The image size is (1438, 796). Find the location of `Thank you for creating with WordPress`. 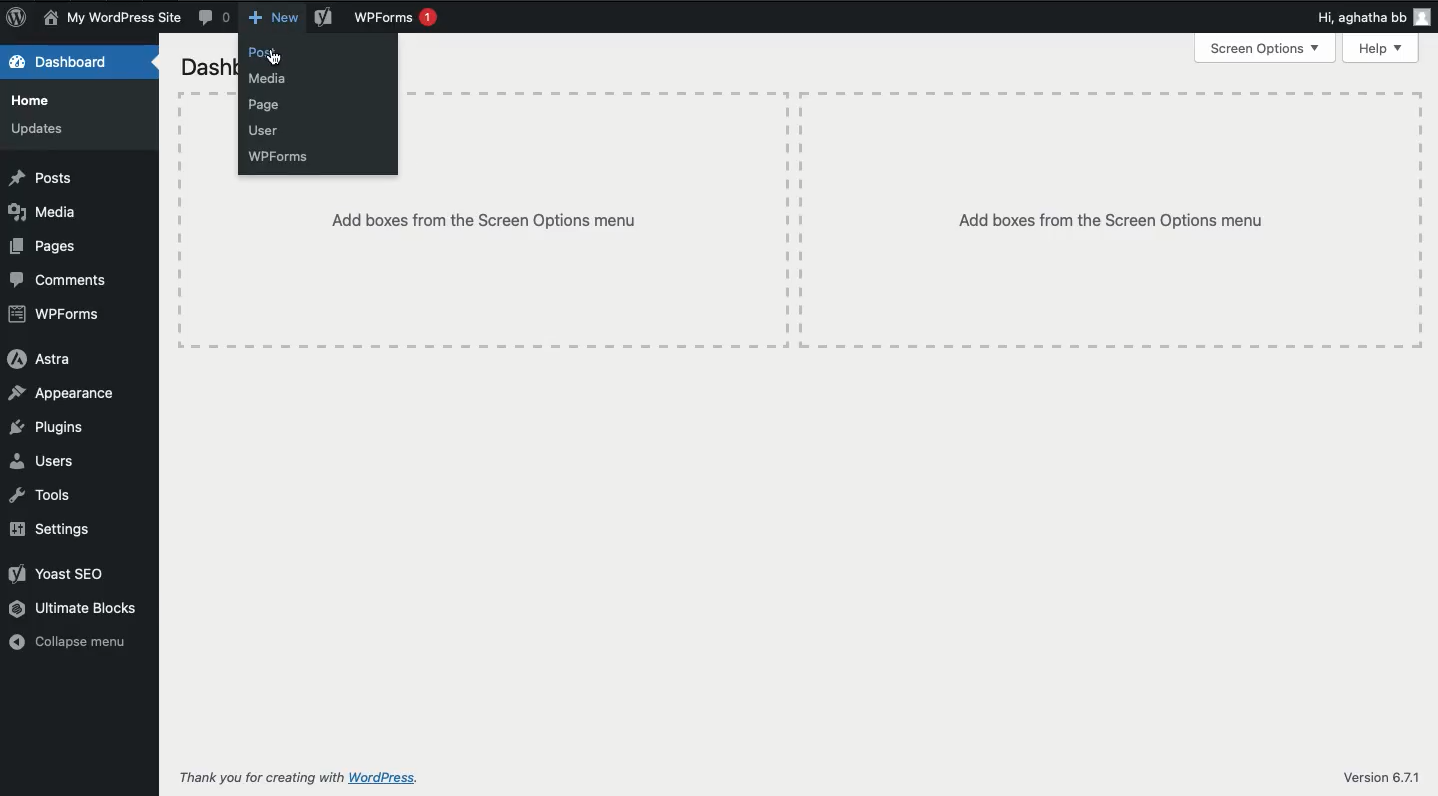

Thank you for creating with WordPress is located at coordinates (296, 779).